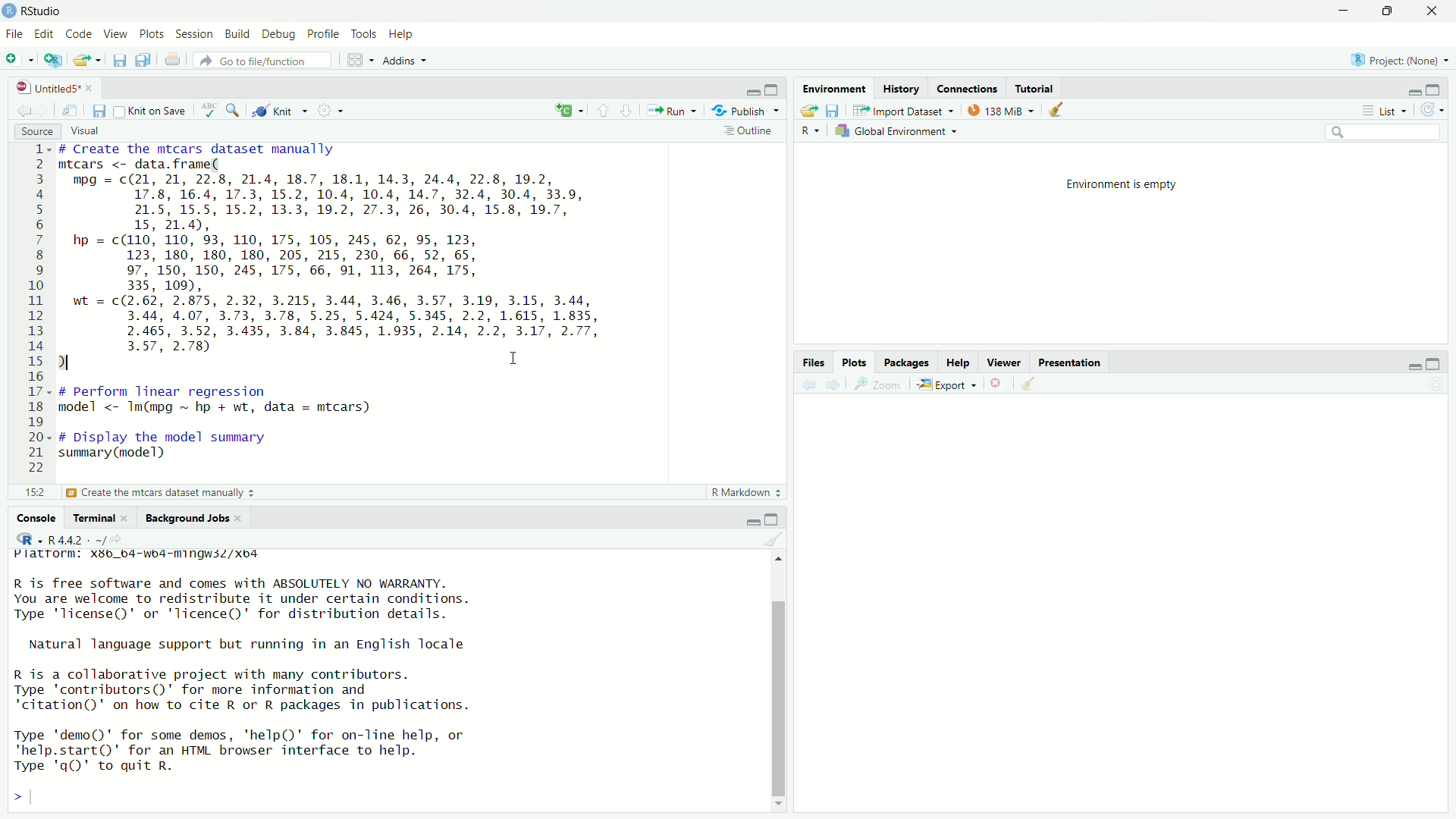  What do you see at coordinates (1413, 93) in the screenshot?
I see `minimize` at bounding box center [1413, 93].